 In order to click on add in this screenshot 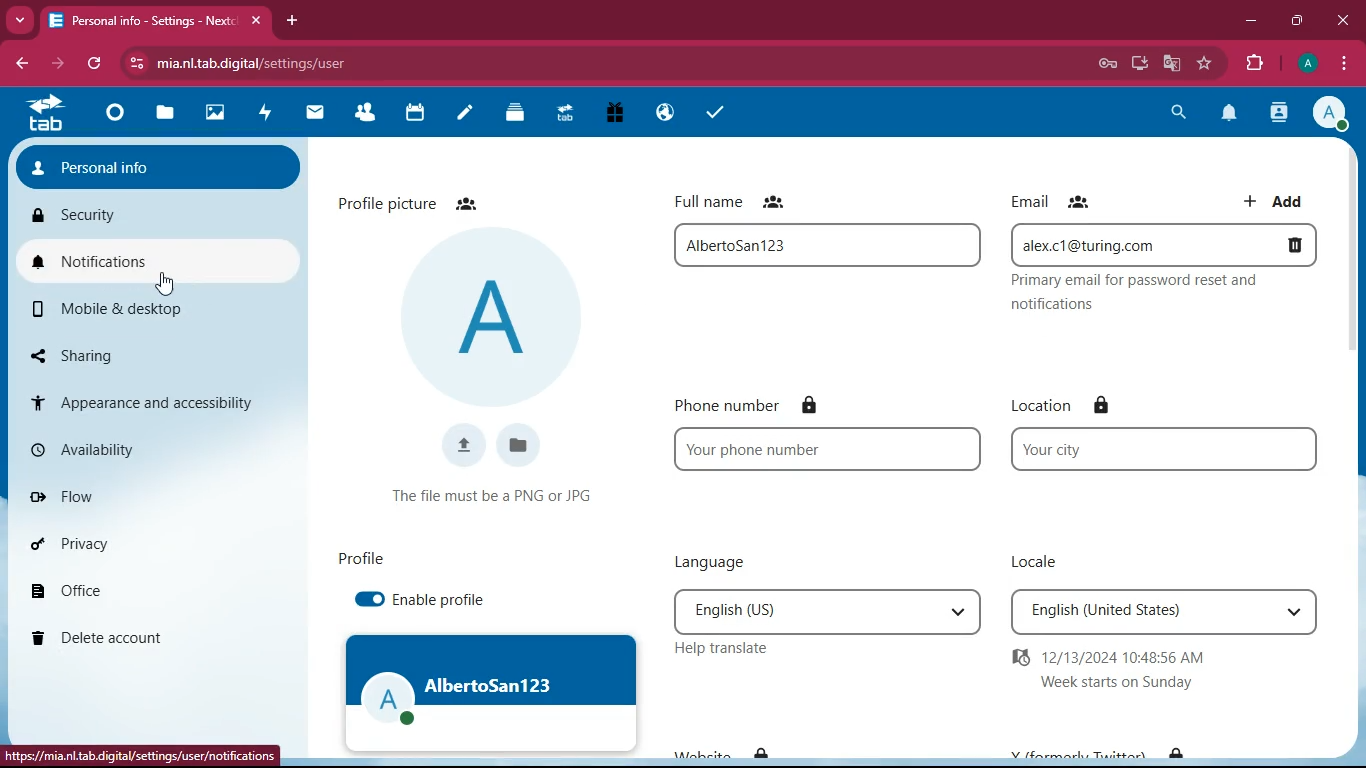, I will do `click(1274, 199)`.